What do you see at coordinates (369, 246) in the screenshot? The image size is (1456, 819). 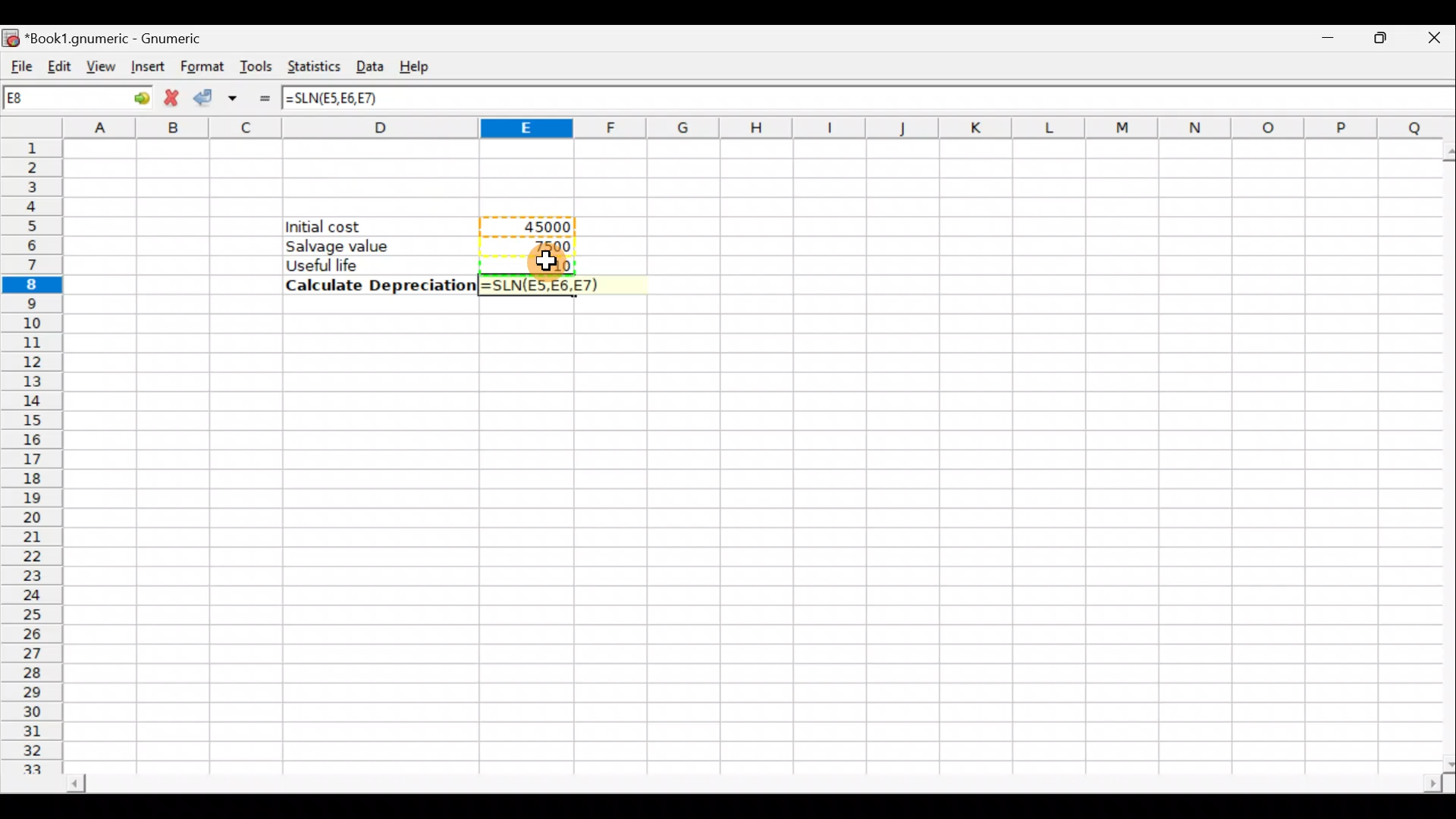 I see `Salvage value` at bounding box center [369, 246].